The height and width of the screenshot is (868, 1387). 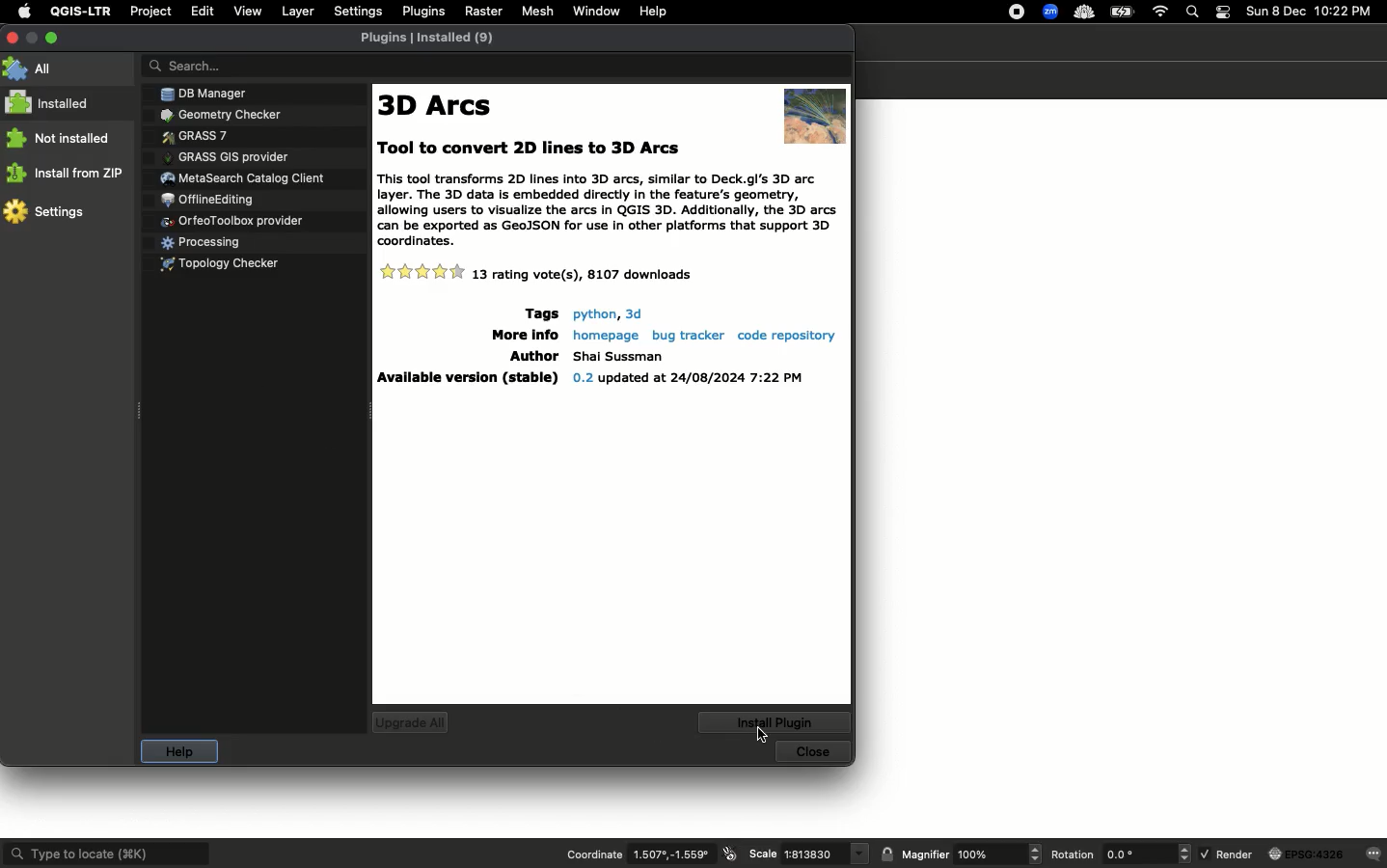 What do you see at coordinates (248, 11) in the screenshot?
I see `View` at bounding box center [248, 11].